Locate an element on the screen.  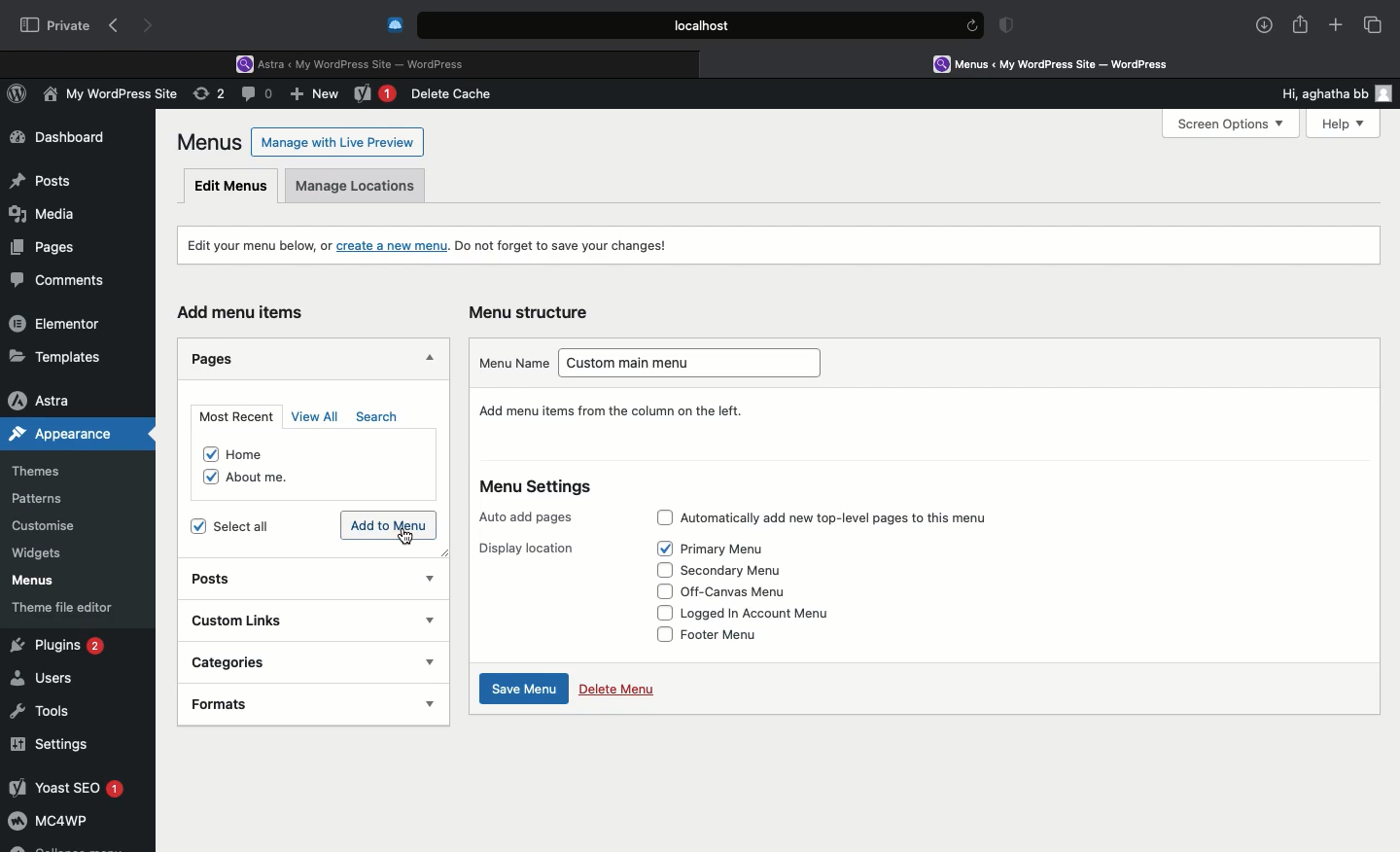
Theme file editor is located at coordinates (70, 607).